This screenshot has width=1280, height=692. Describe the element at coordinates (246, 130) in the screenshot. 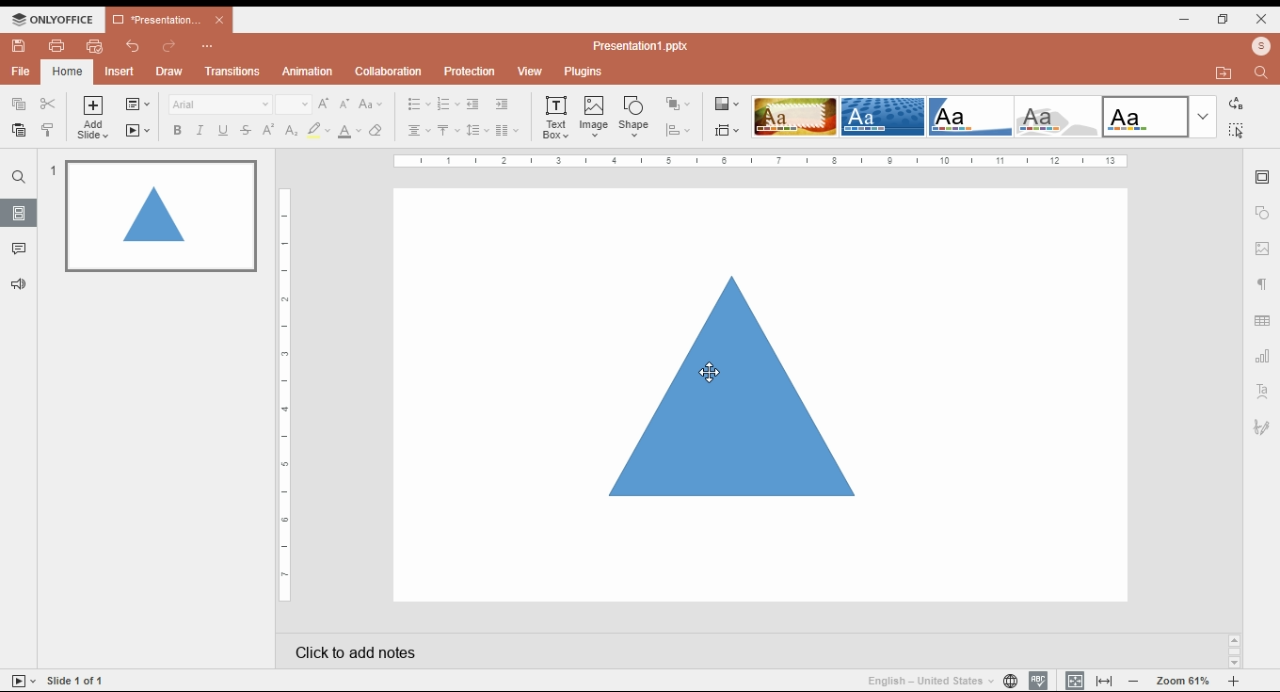

I see `strikethrough` at that location.